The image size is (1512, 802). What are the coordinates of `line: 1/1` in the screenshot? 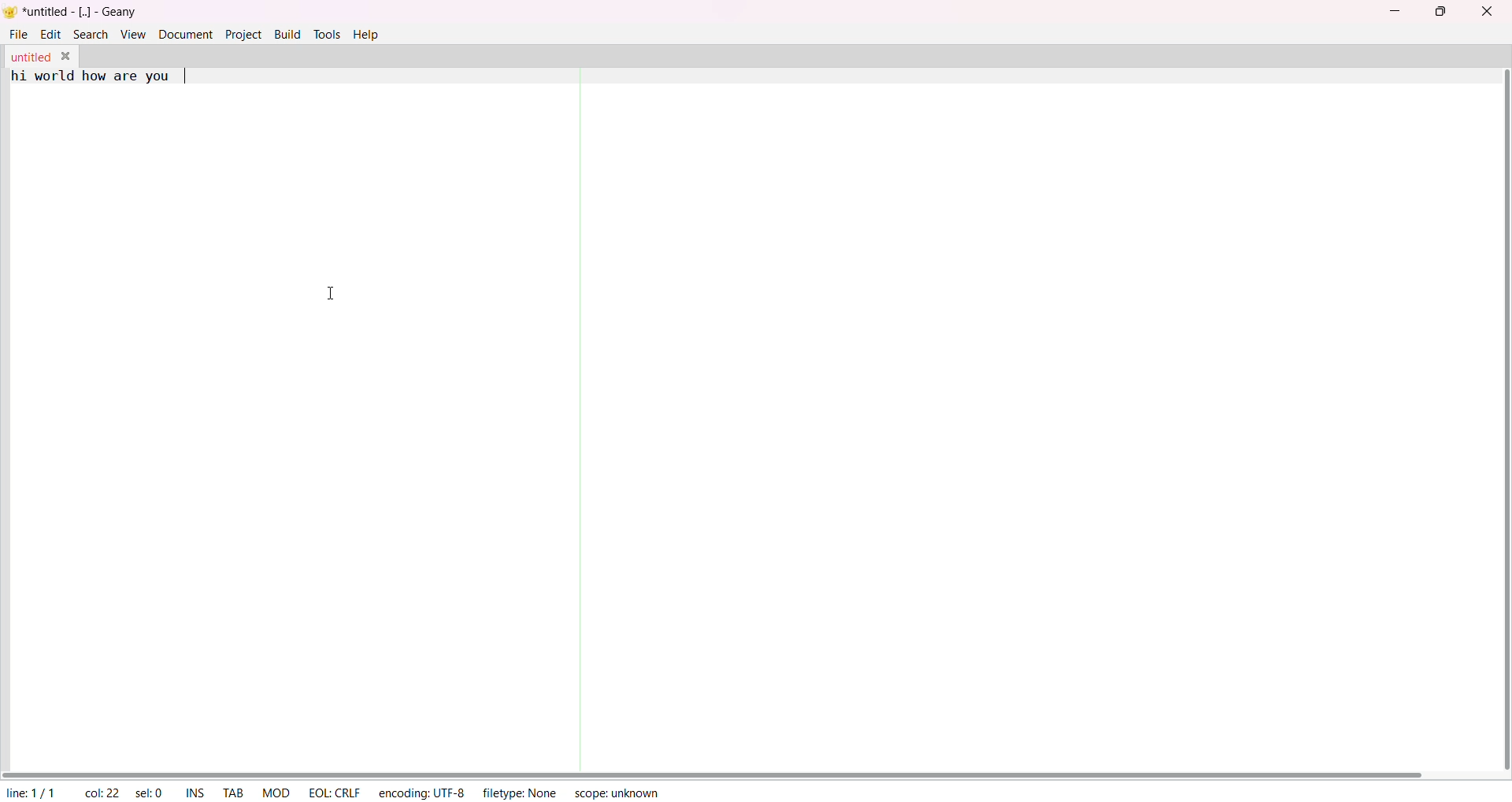 It's located at (31, 793).